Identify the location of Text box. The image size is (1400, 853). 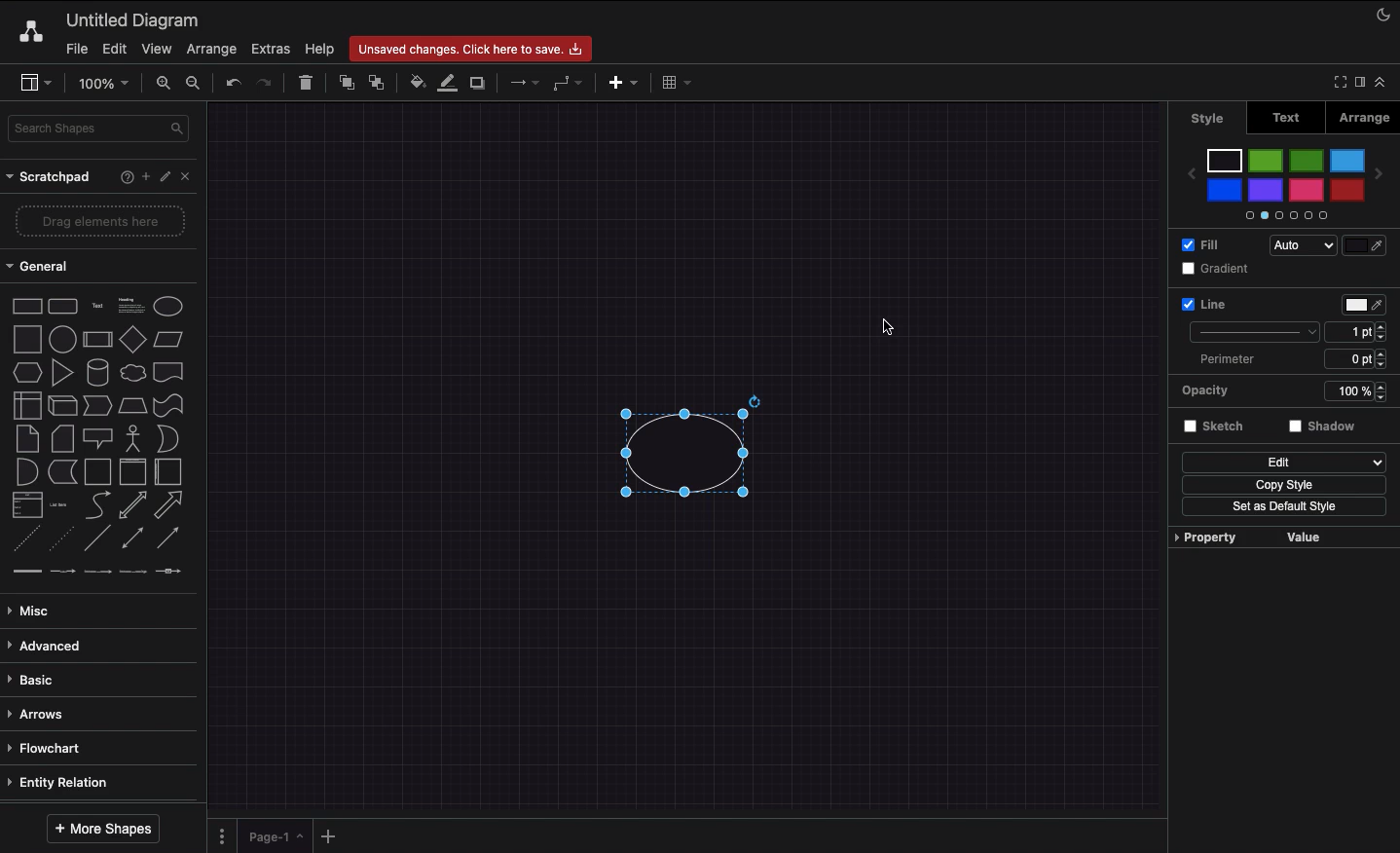
(129, 306).